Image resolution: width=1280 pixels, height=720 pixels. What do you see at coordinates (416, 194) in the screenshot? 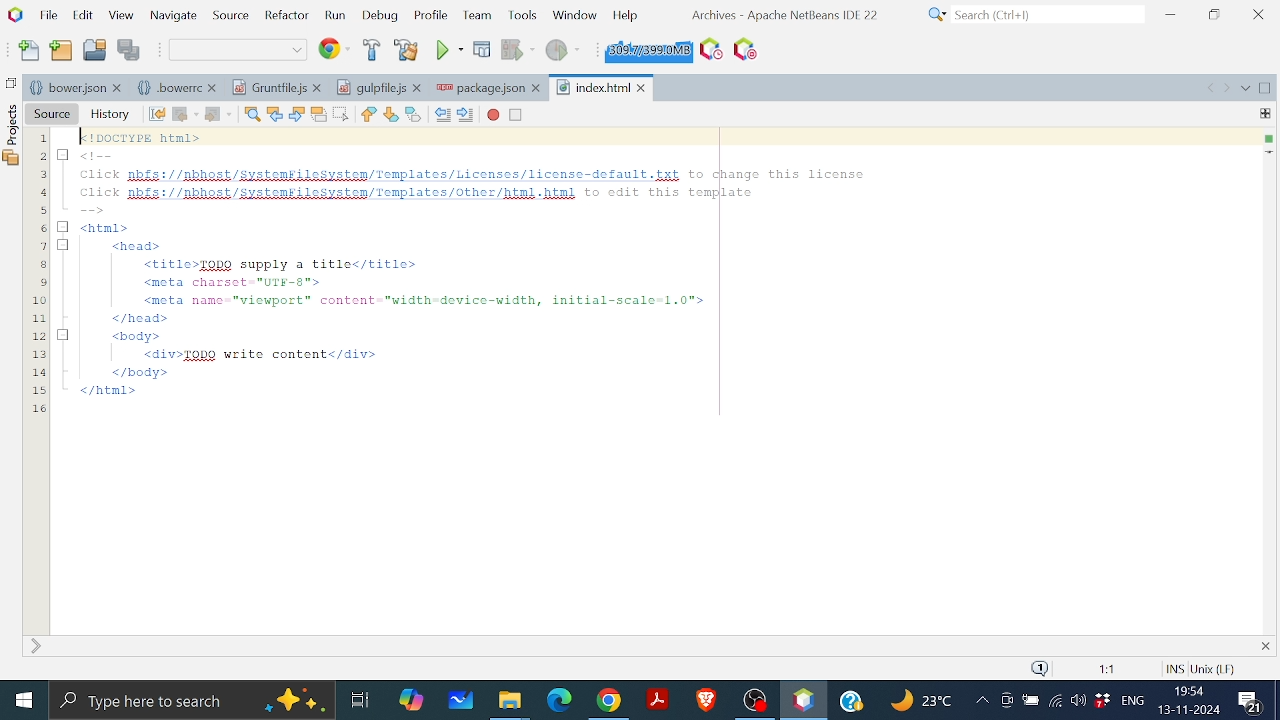
I see `click pbfs://pbhost/systemkilesystem/Templates/other/html.html to edit this template` at bounding box center [416, 194].